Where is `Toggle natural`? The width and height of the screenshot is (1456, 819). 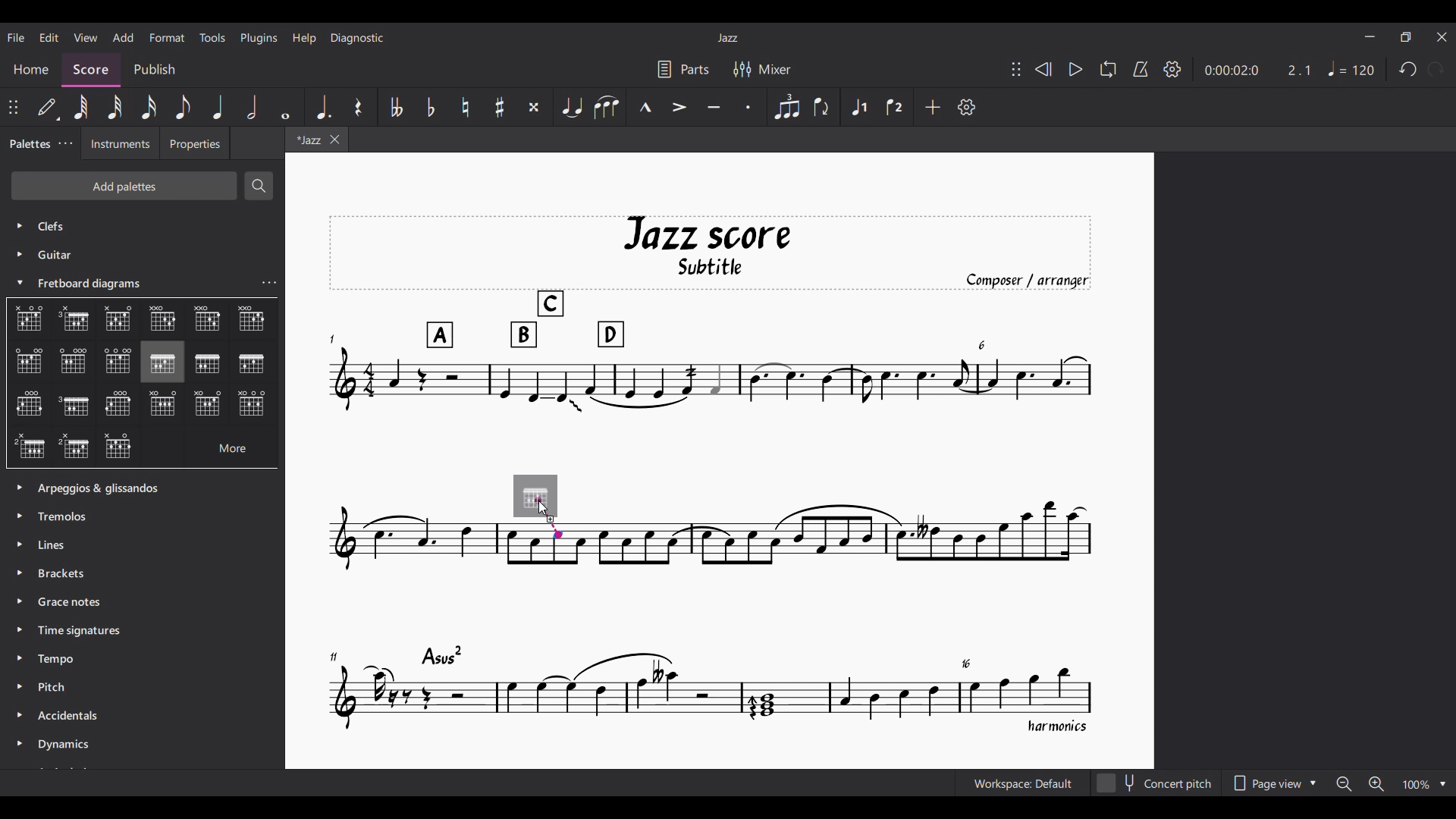 Toggle natural is located at coordinates (466, 107).